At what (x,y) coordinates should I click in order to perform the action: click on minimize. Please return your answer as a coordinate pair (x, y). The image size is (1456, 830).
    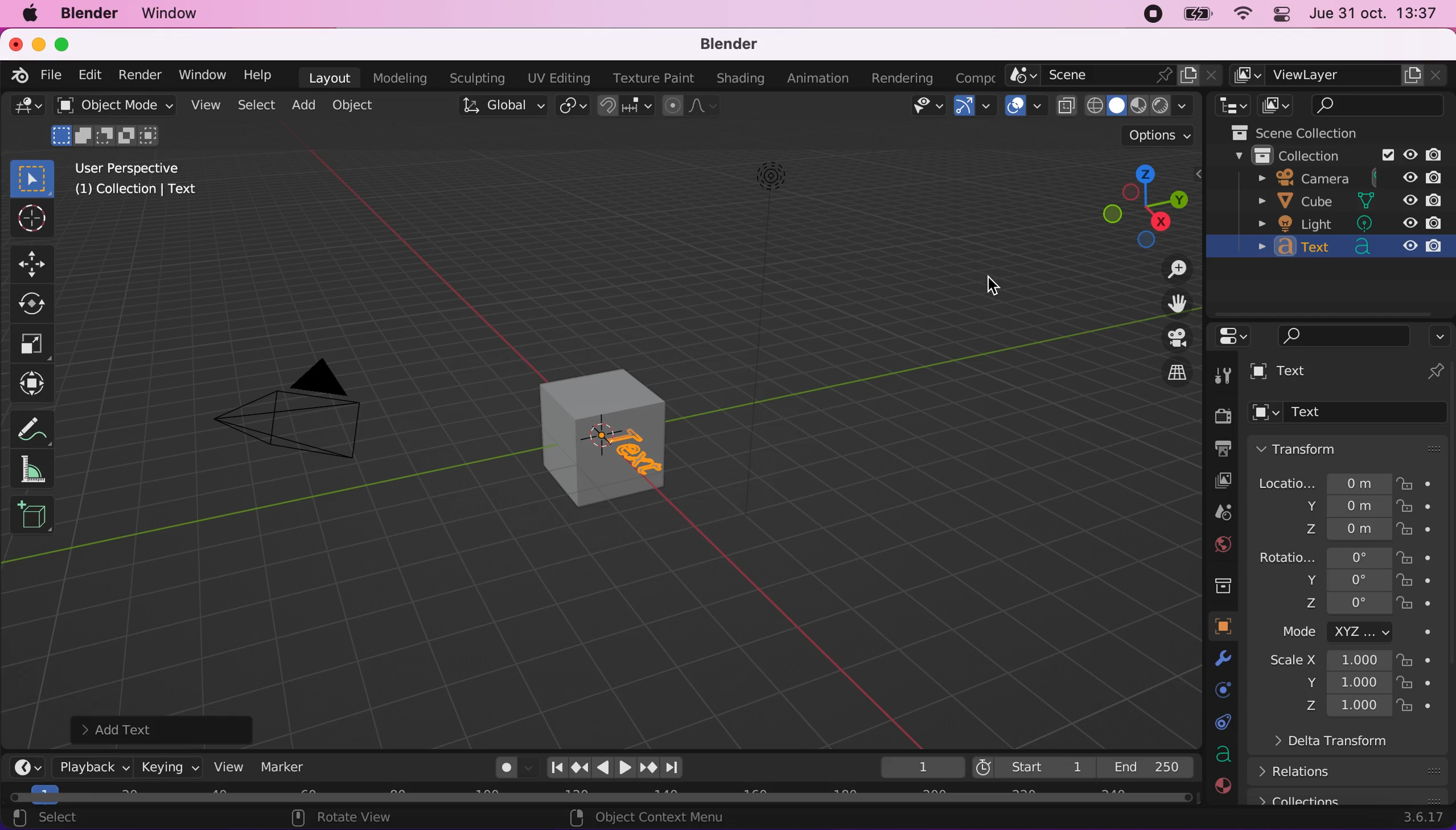
    Looking at the image, I should click on (39, 43).